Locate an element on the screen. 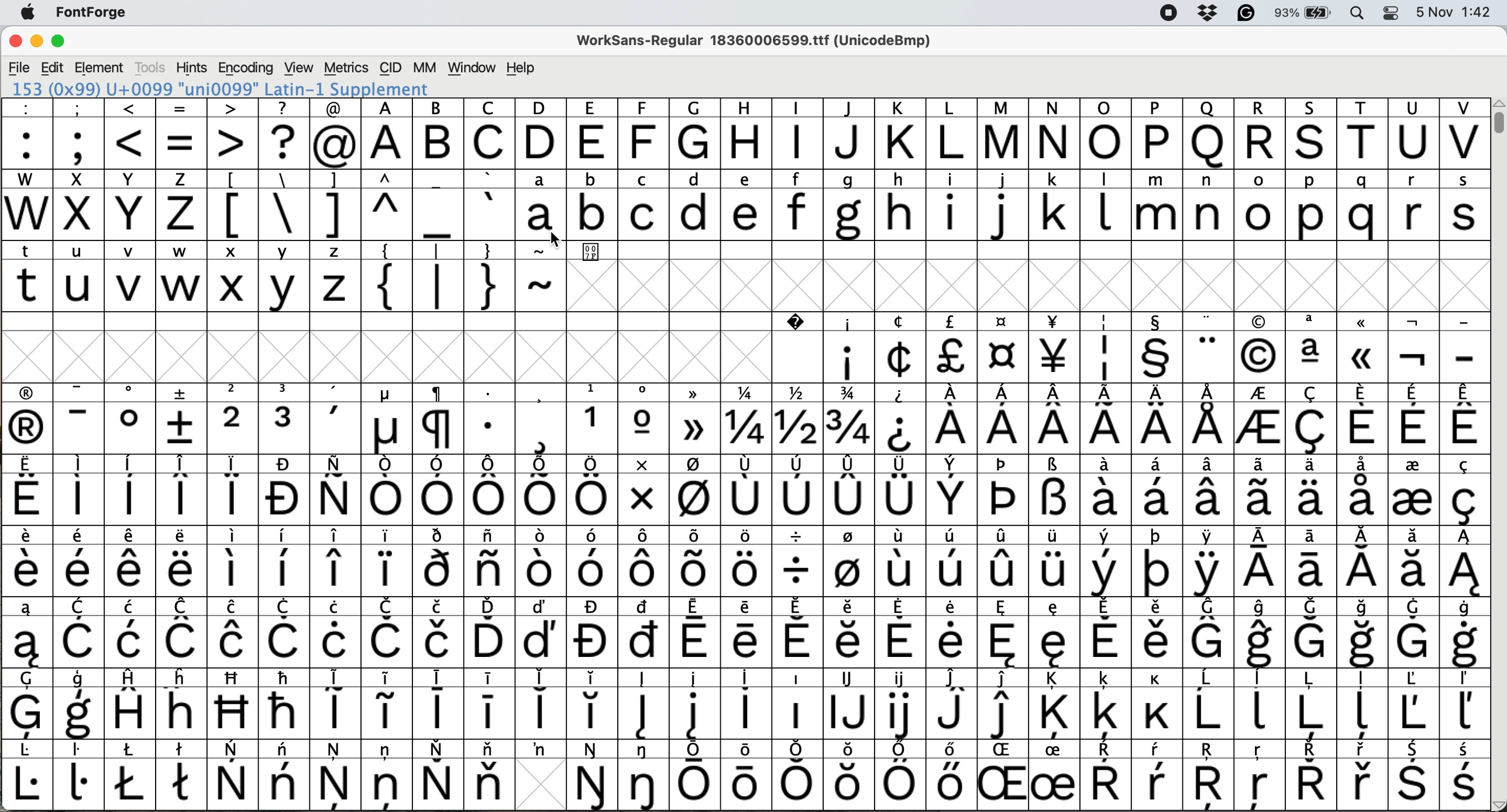  symbol is located at coordinates (1463, 490).